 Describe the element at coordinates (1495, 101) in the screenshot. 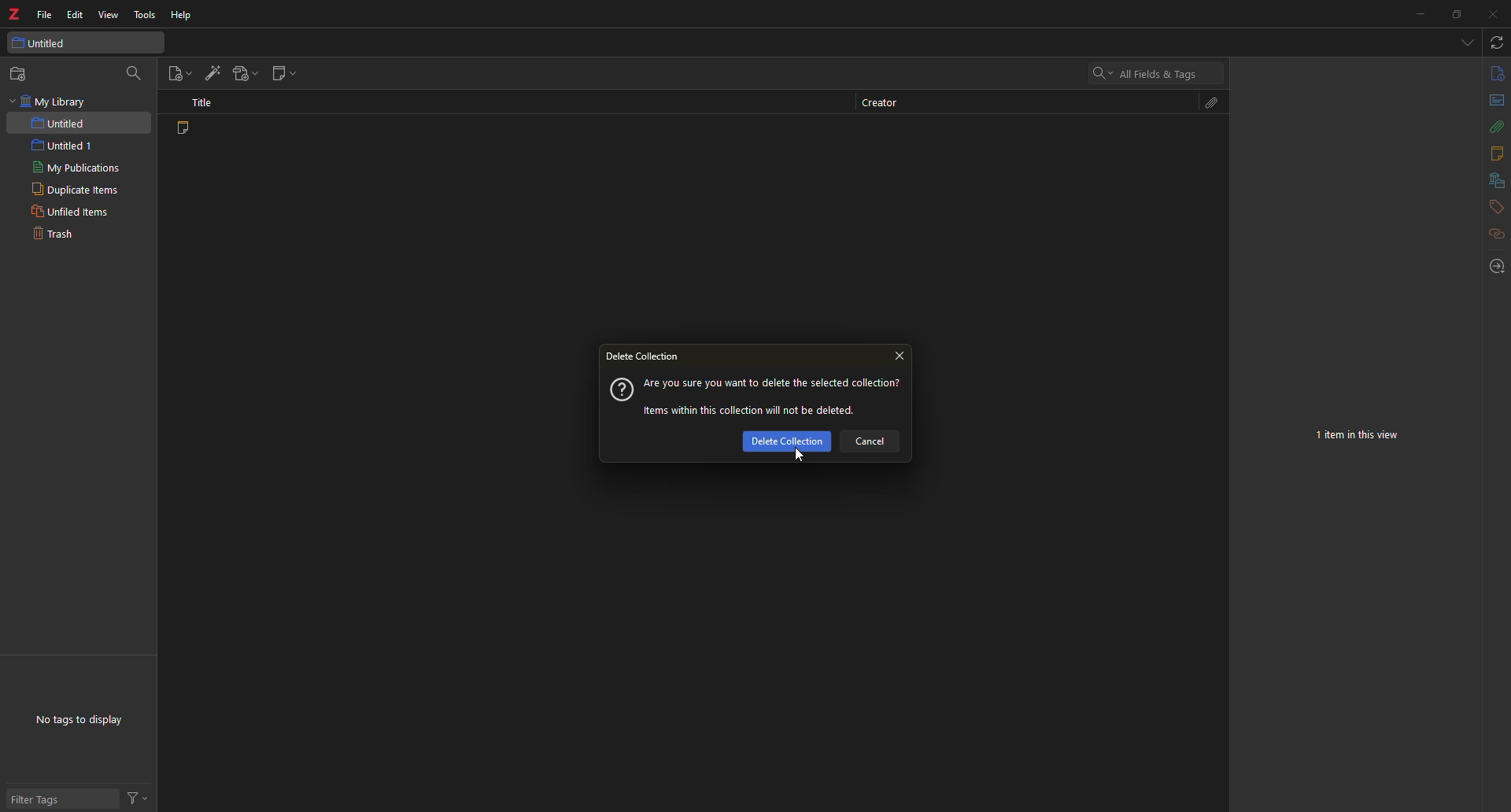

I see `abstract` at that location.